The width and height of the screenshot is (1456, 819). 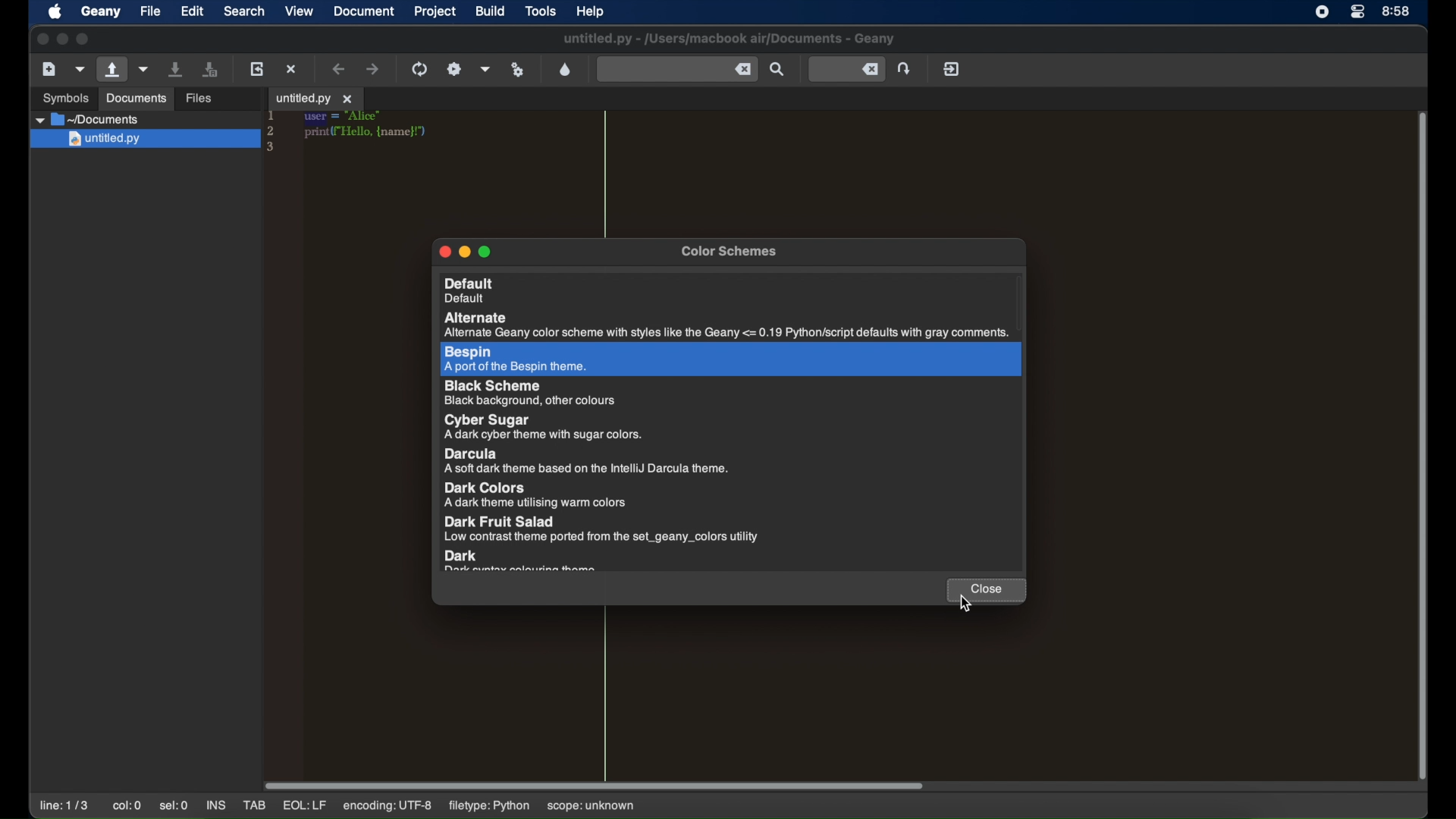 What do you see at coordinates (340, 68) in the screenshot?
I see `navigate back a location` at bounding box center [340, 68].